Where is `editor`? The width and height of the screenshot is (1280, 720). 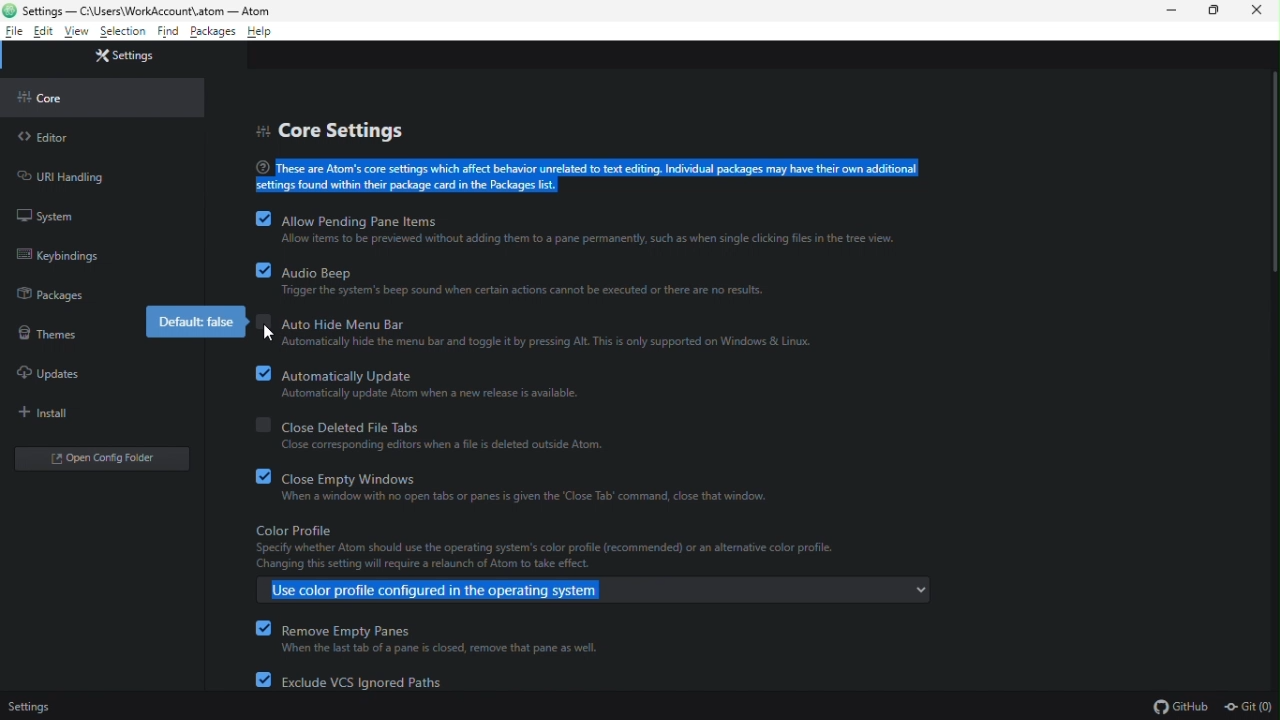 editor is located at coordinates (44, 139).